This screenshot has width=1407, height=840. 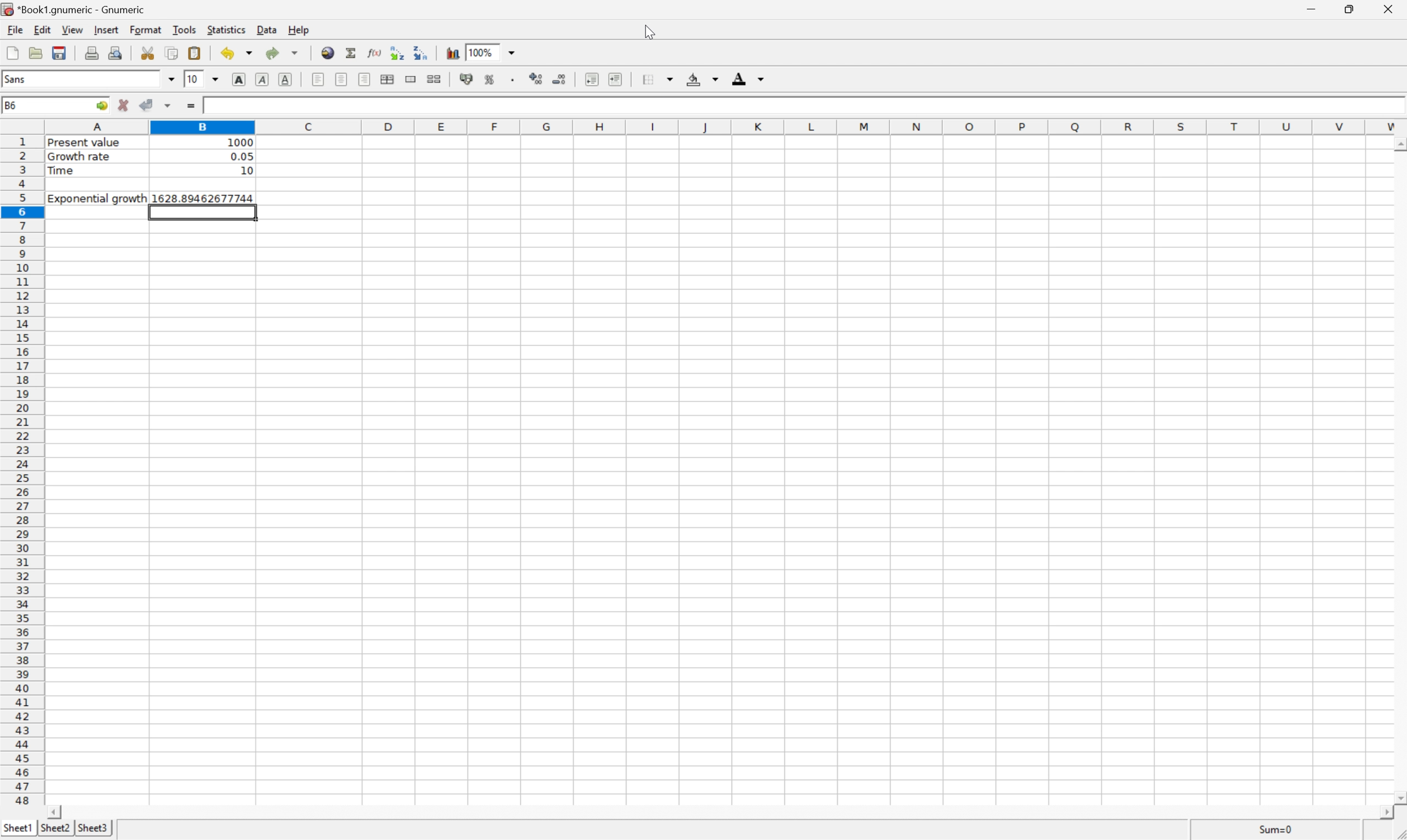 What do you see at coordinates (537, 79) in the screenshot?
I see `Increase the number of decimals displayed` at bounding box center [537, 79].